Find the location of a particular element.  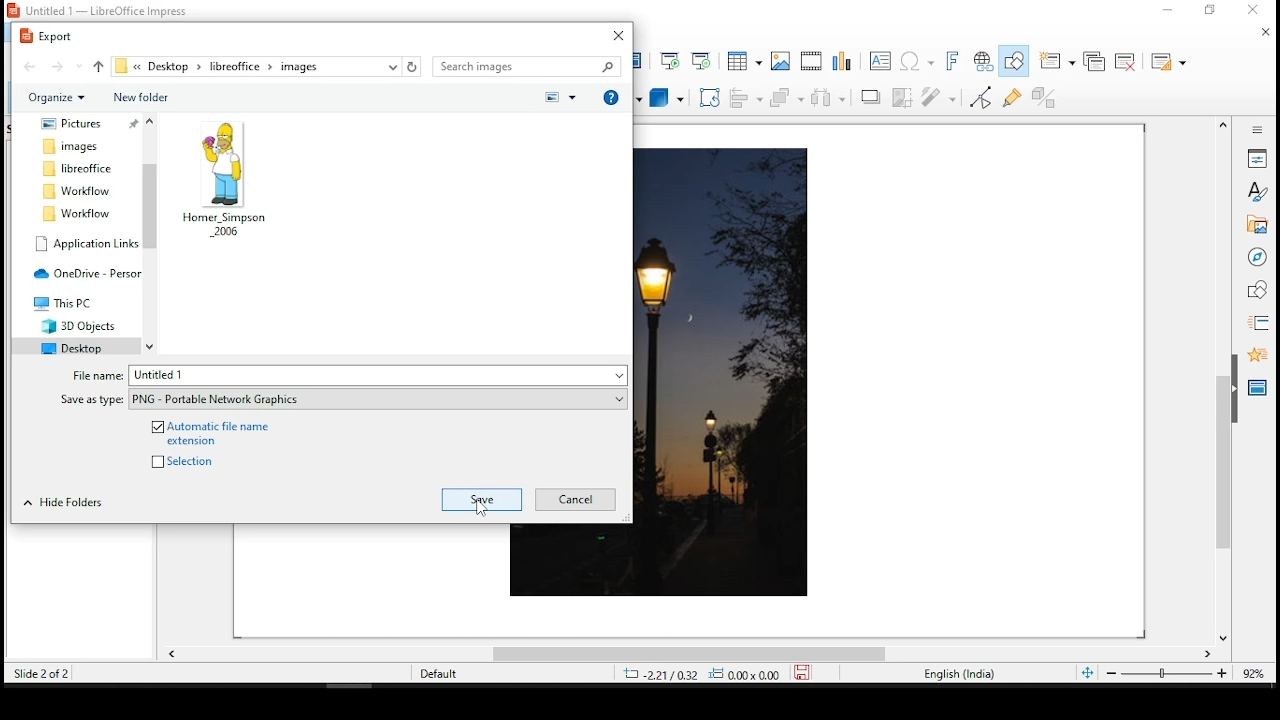

show gluepoint functions is located at coordinates (1014, 98).